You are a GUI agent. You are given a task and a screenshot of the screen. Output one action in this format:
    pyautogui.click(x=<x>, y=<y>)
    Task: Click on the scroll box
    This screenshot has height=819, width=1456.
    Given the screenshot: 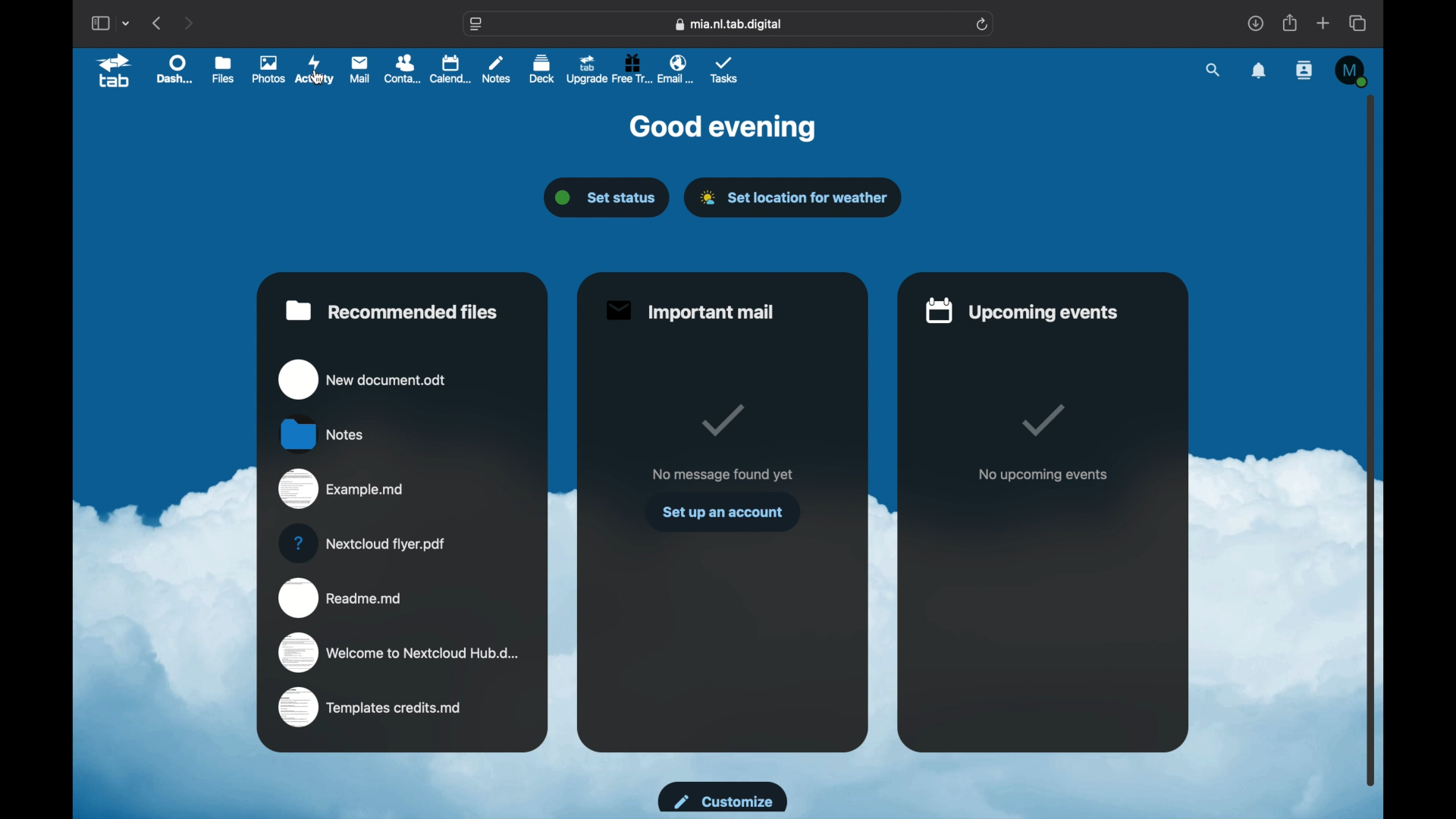 What is the action you would take?
    pyautogui.click(x=1373, y=440)
    